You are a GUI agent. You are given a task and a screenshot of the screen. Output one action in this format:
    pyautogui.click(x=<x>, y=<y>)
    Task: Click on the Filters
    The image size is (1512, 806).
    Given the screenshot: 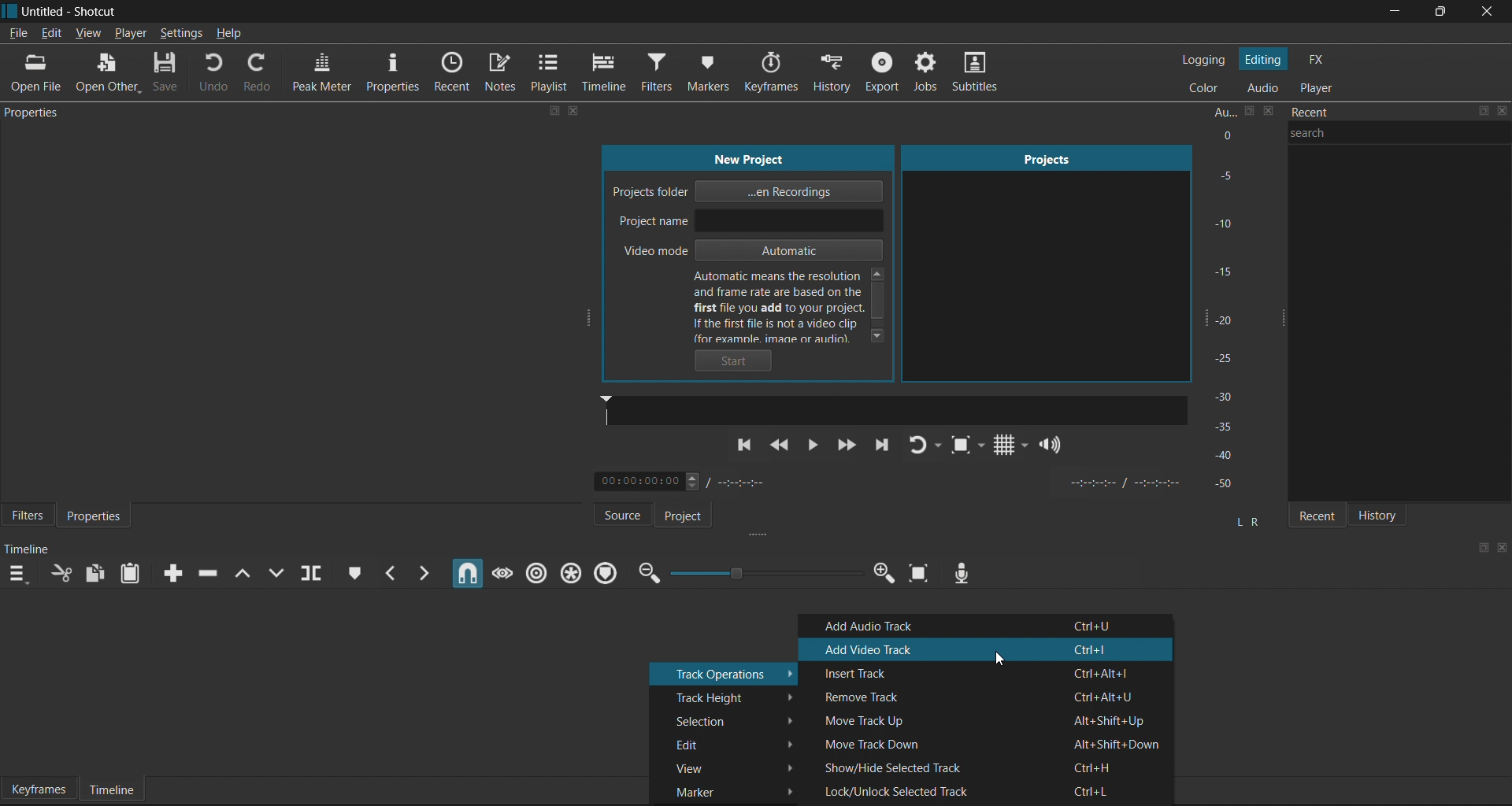 What is the action you would take?
    pyautogui.click(x=25, y=517)
    